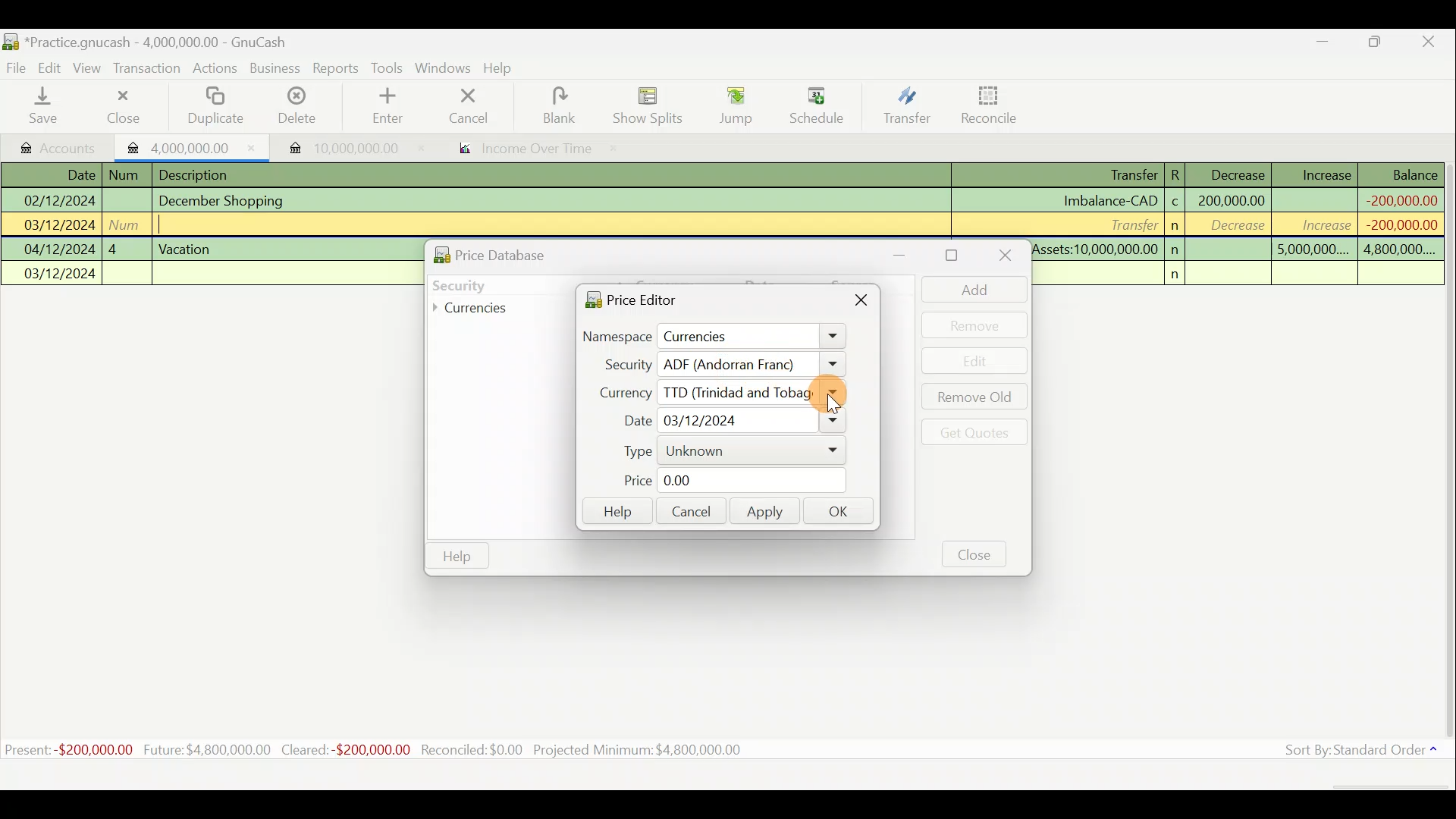 The width and height of the screenshot is (1456, 819). Describe the element at coordinates (724, 451) in the screenshot. I see `Type` at that location.